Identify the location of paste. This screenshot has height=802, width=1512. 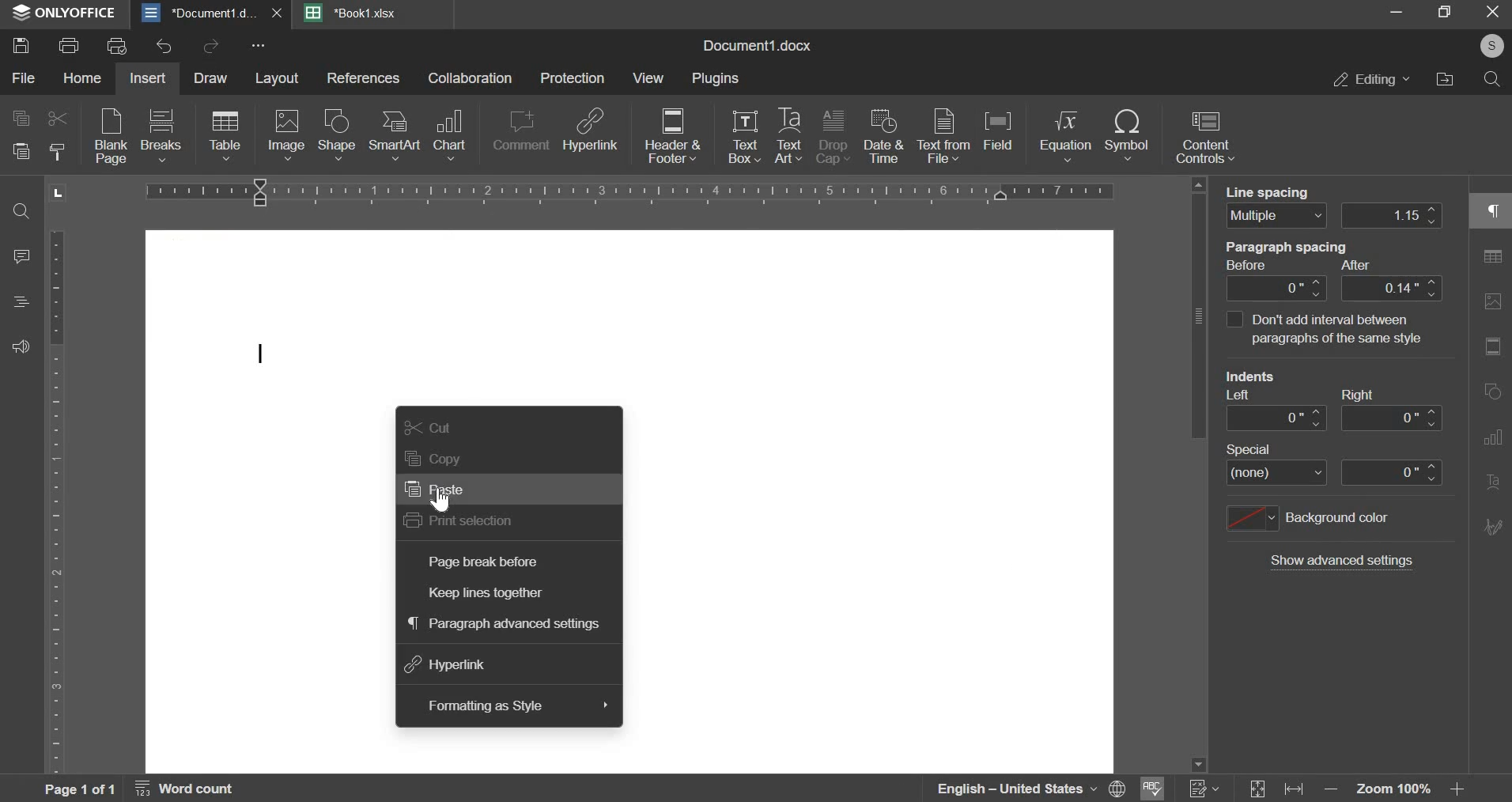
(20, 151).